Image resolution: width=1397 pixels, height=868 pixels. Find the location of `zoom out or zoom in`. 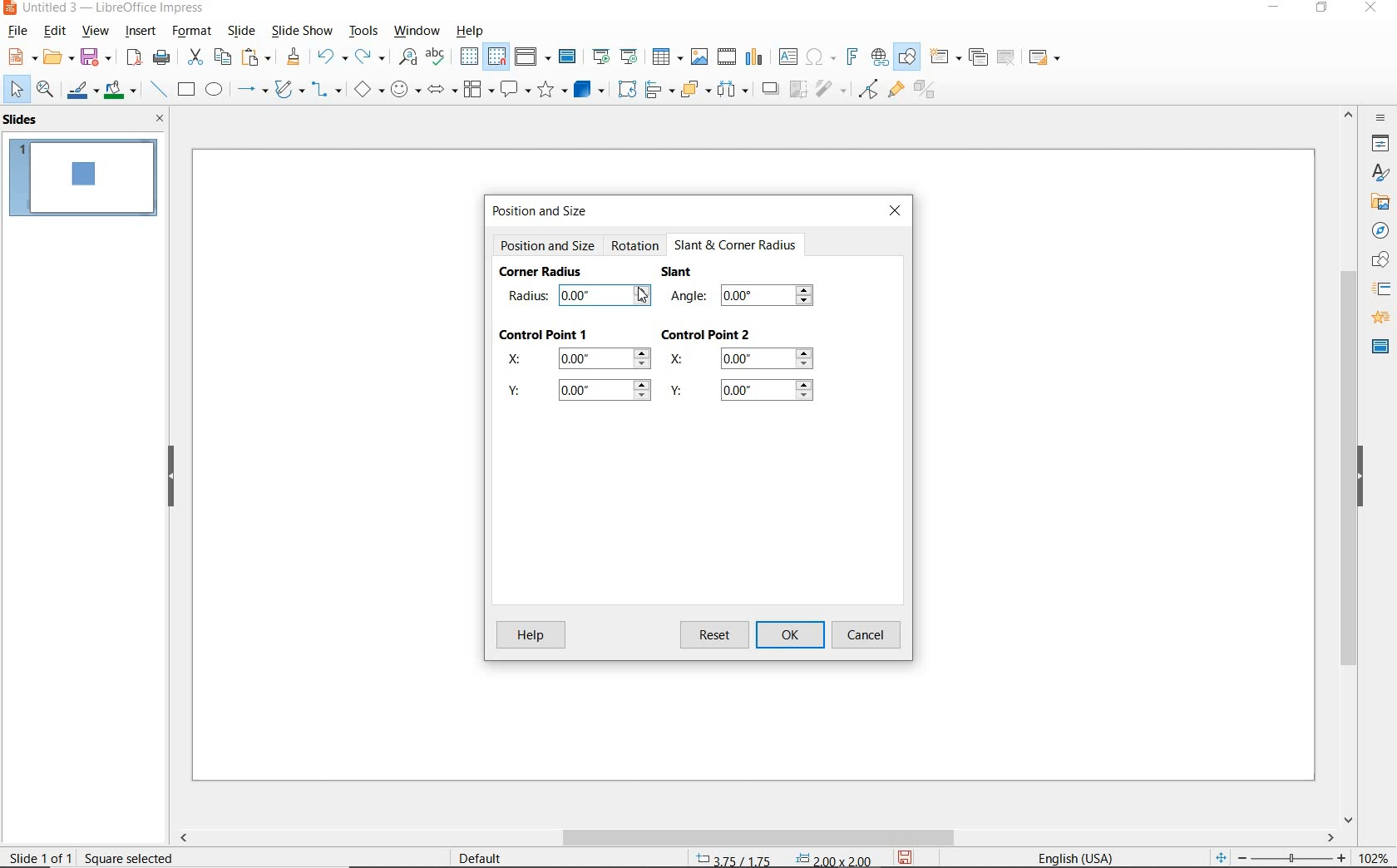

zoom out or zoom in is located at coordinates (1281, 856).